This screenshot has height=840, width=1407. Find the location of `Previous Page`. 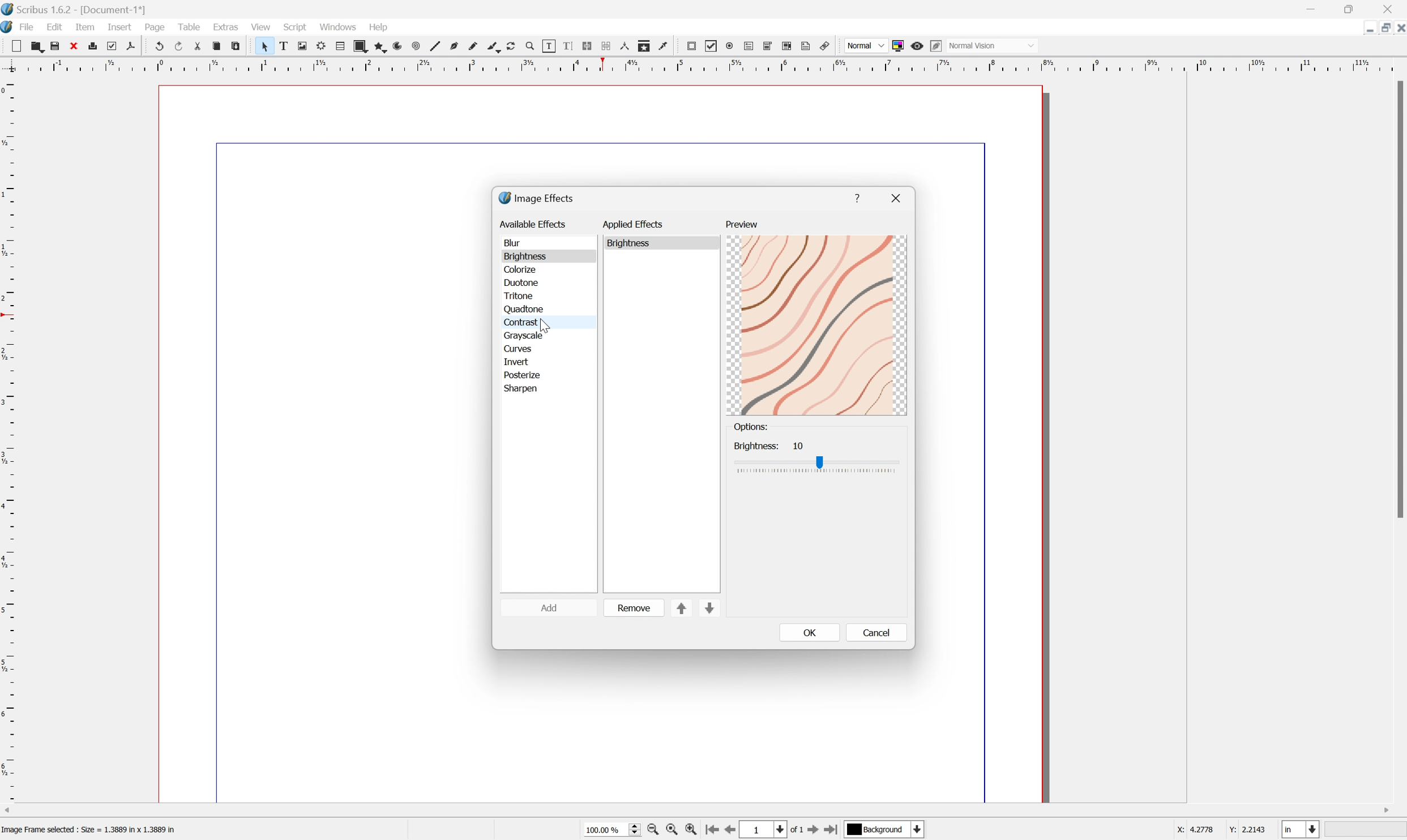

Previous Page is located at coordinates (733, 830).